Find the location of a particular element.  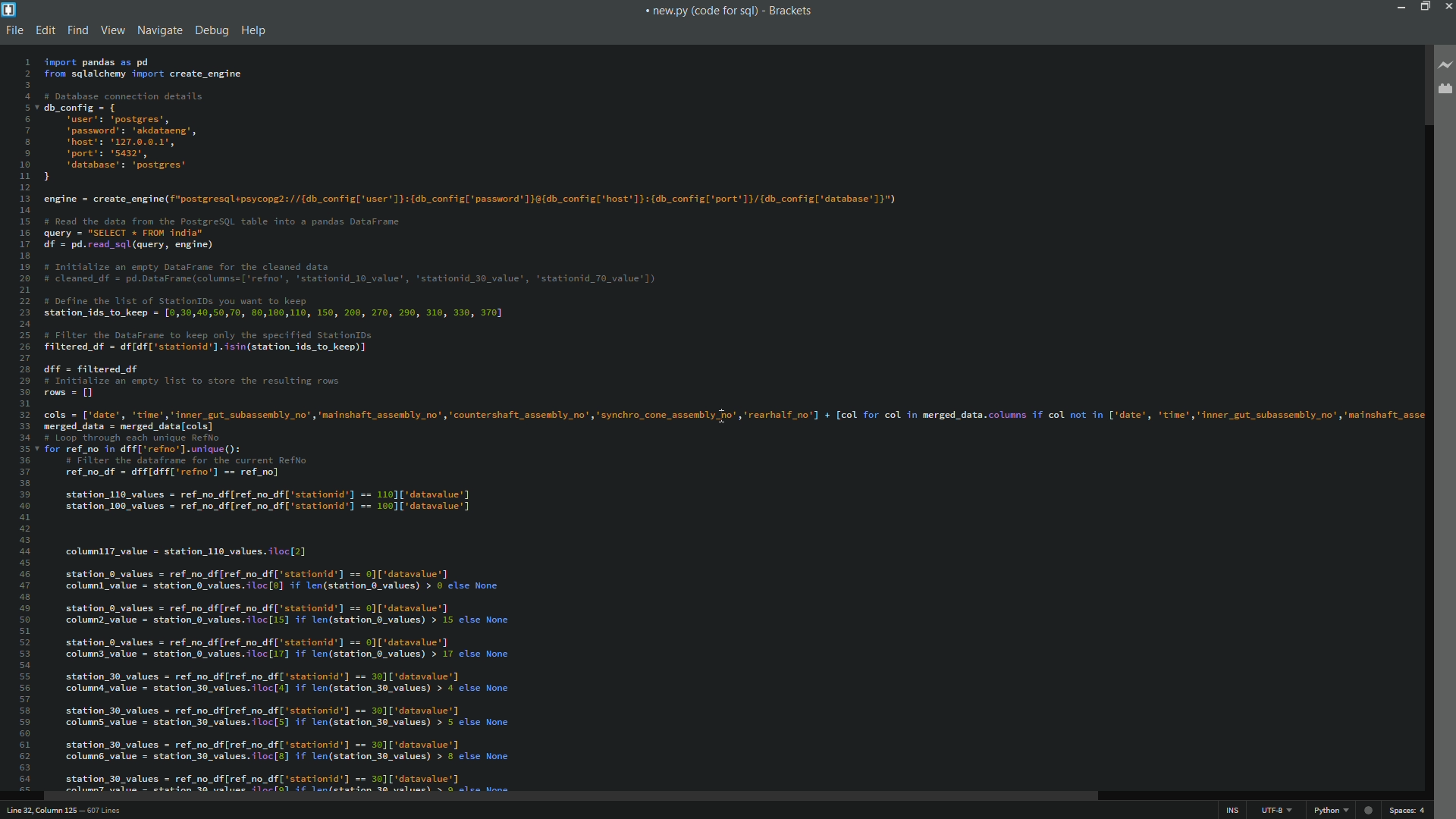

line numbers is located at coordinates (22, 424).